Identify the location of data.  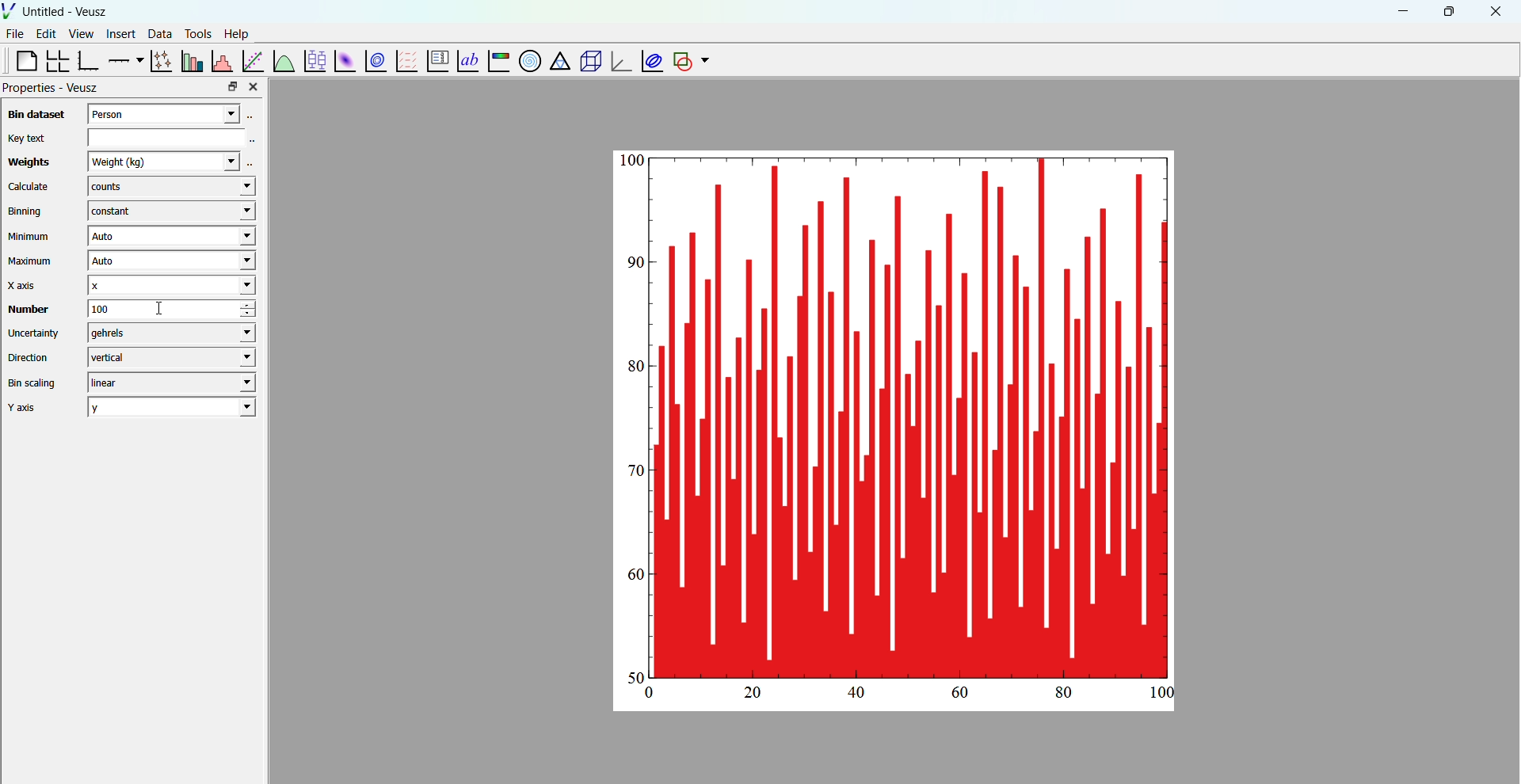
(158, 33).